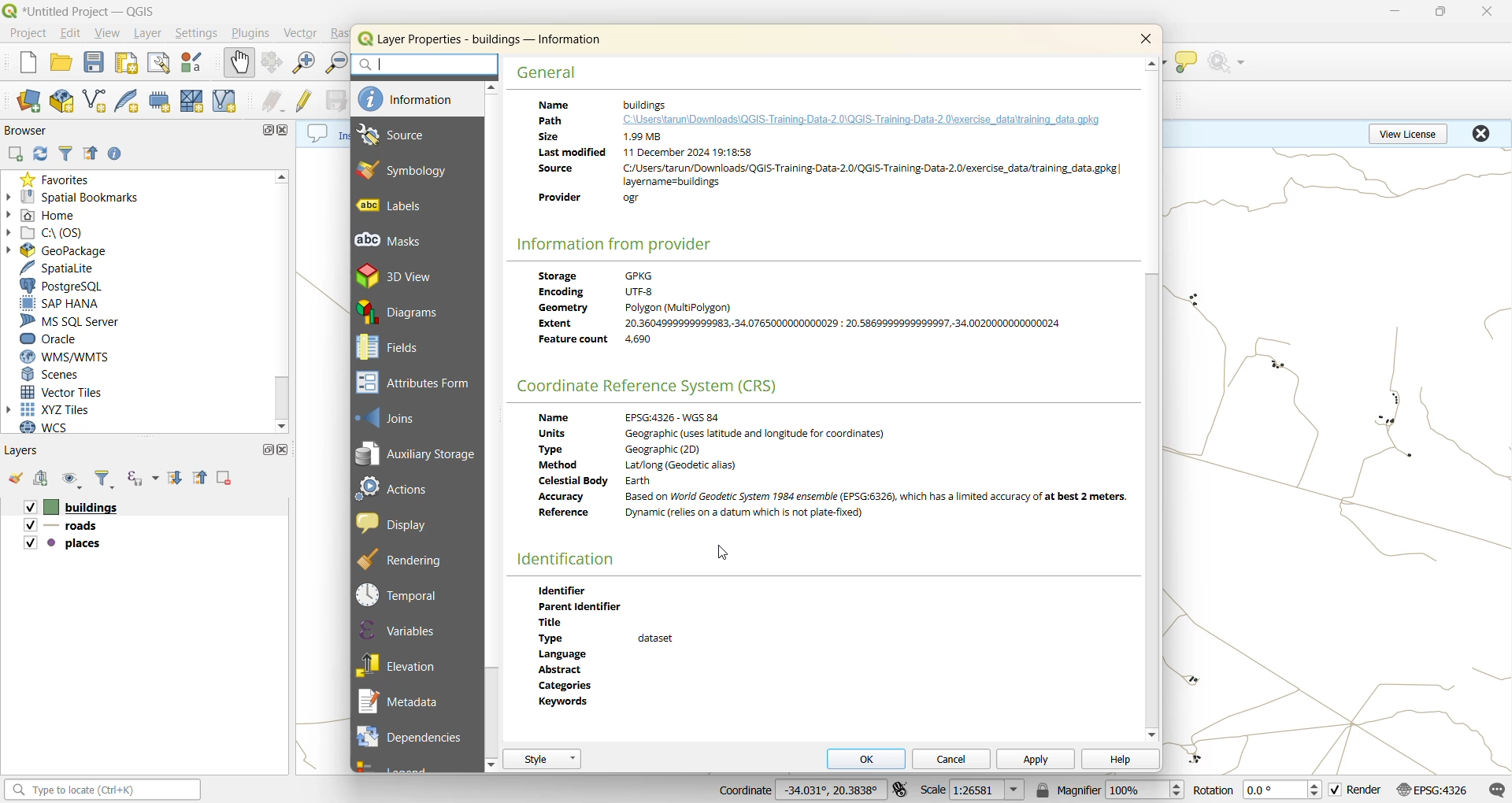  Describe the element at coordinates (410, 312) in the screenshot. I see `diagrams` at that location.